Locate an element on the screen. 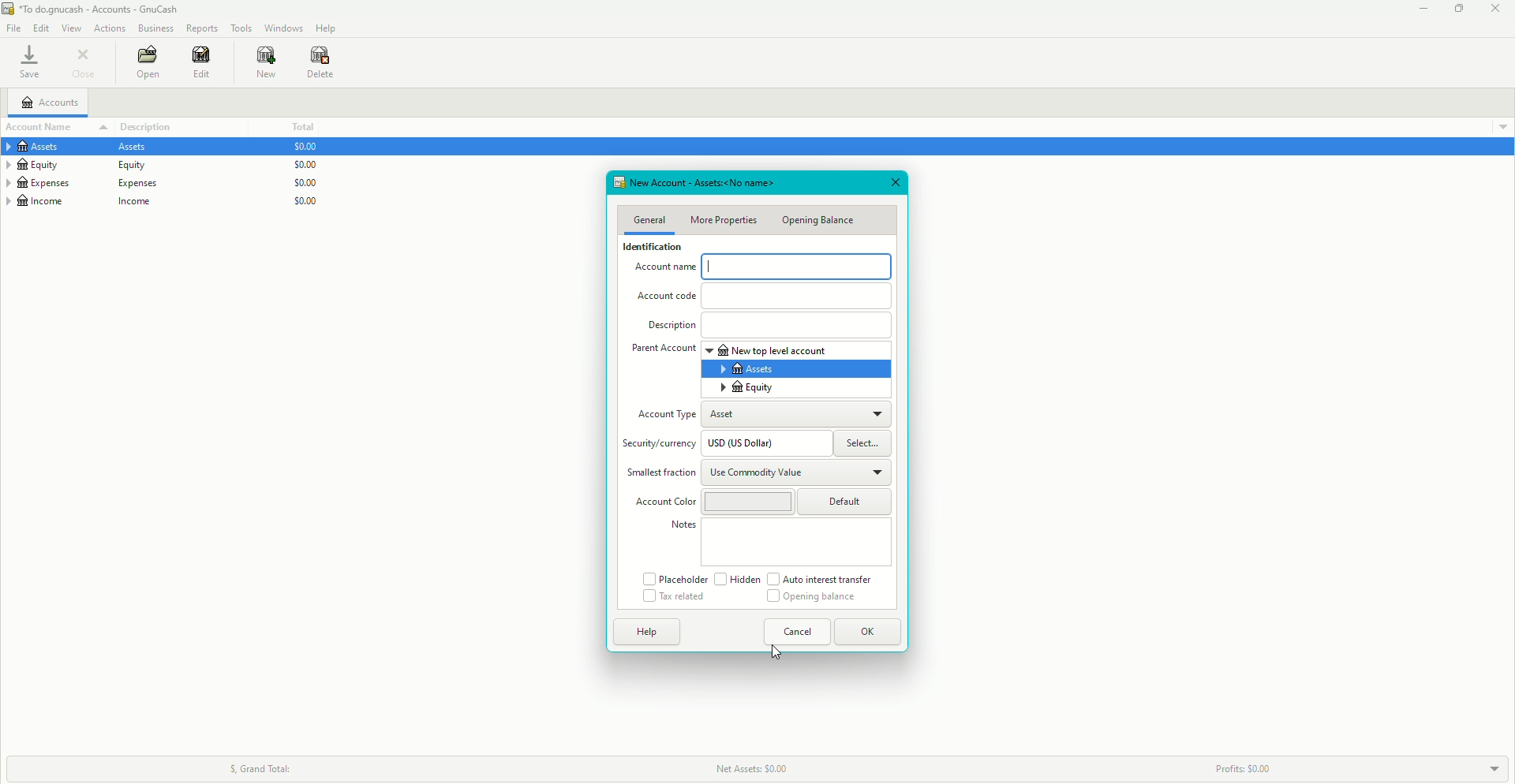  Identification is located at coordinates (649, 249).